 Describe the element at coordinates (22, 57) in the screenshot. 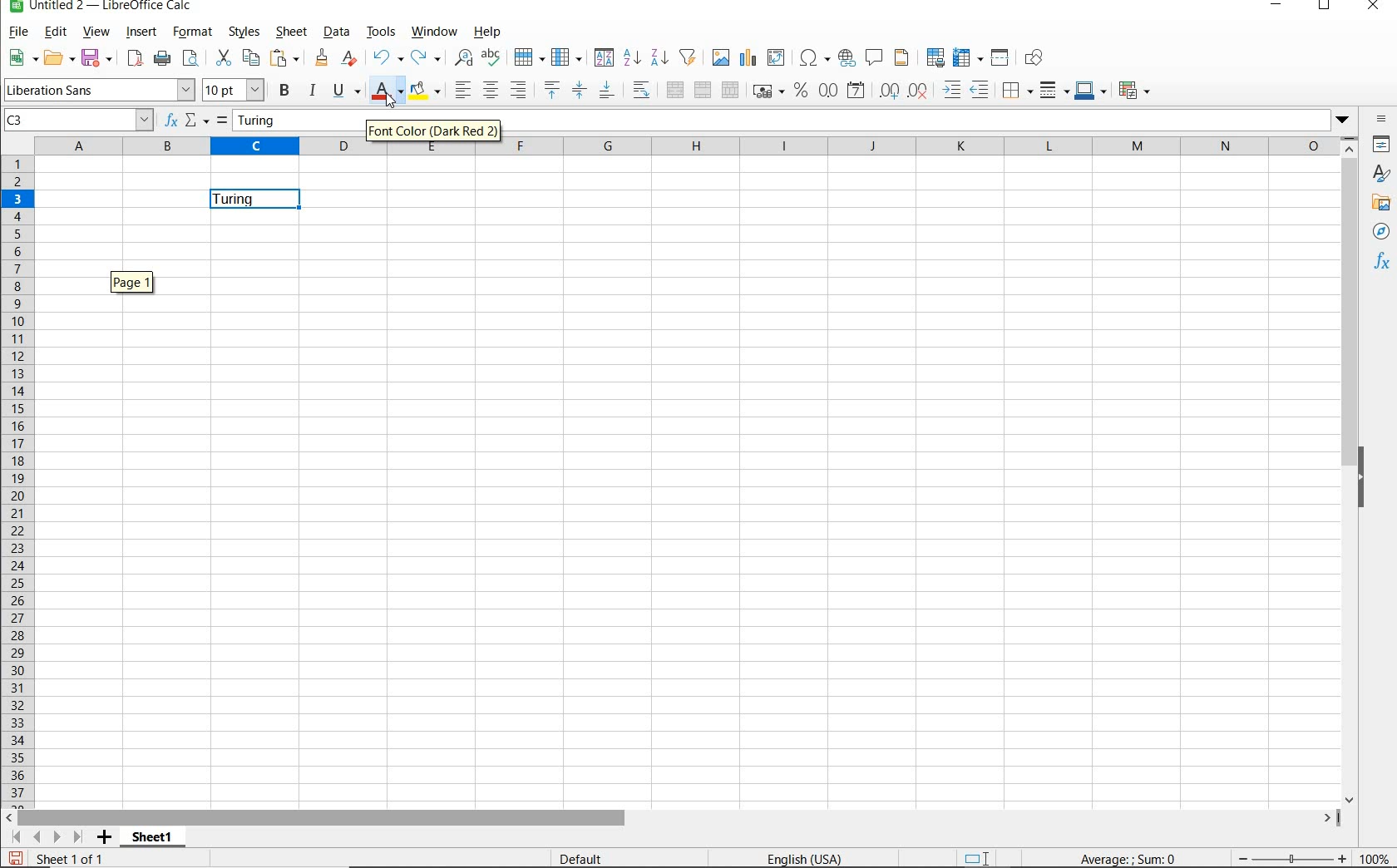

I see `NEW` at that location.